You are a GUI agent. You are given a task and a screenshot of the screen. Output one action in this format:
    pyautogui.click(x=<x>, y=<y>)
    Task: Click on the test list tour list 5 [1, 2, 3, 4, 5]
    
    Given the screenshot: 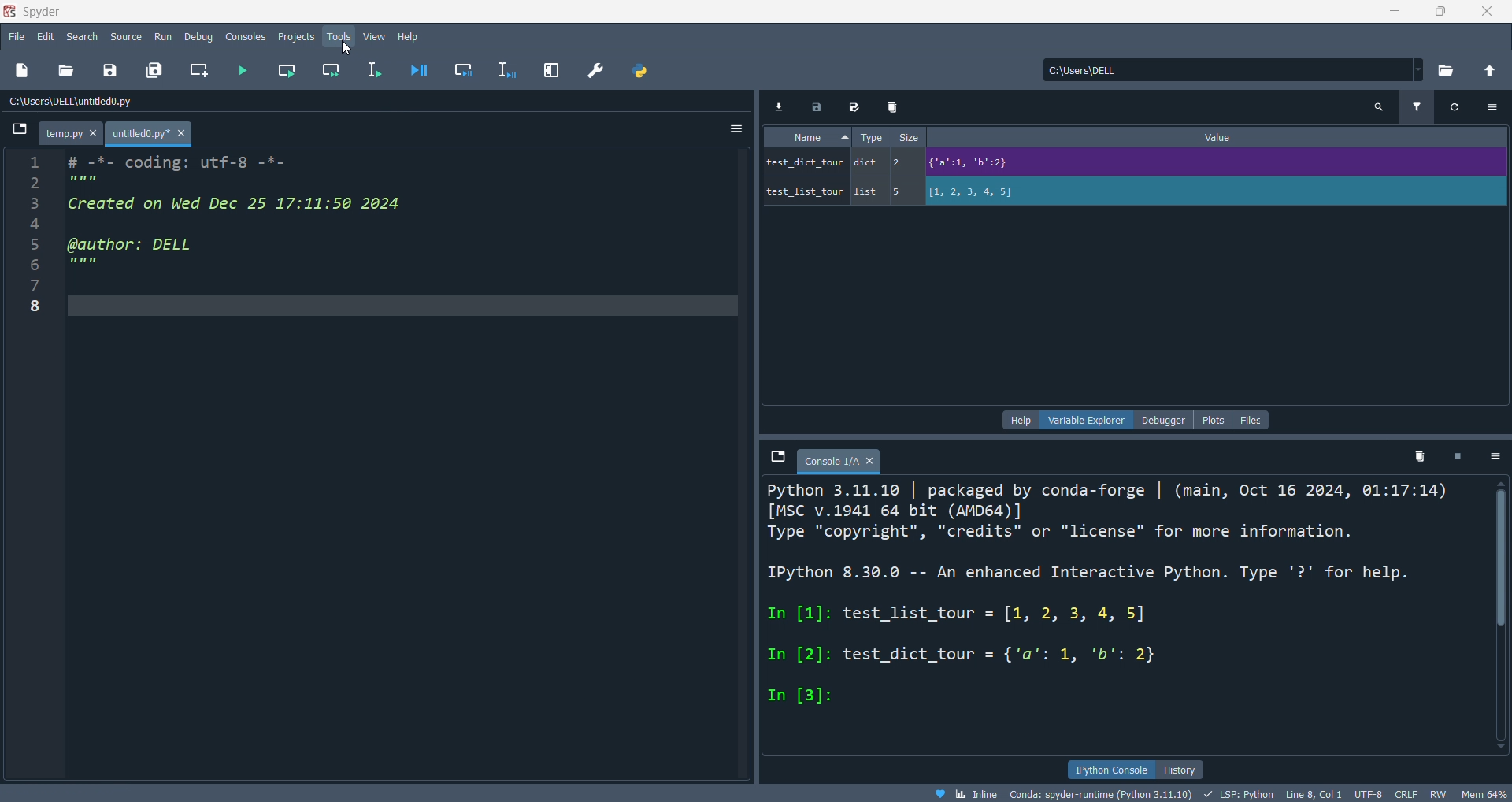 What is the action you would take?
    pyautogui.click(x=929, y=191)
    